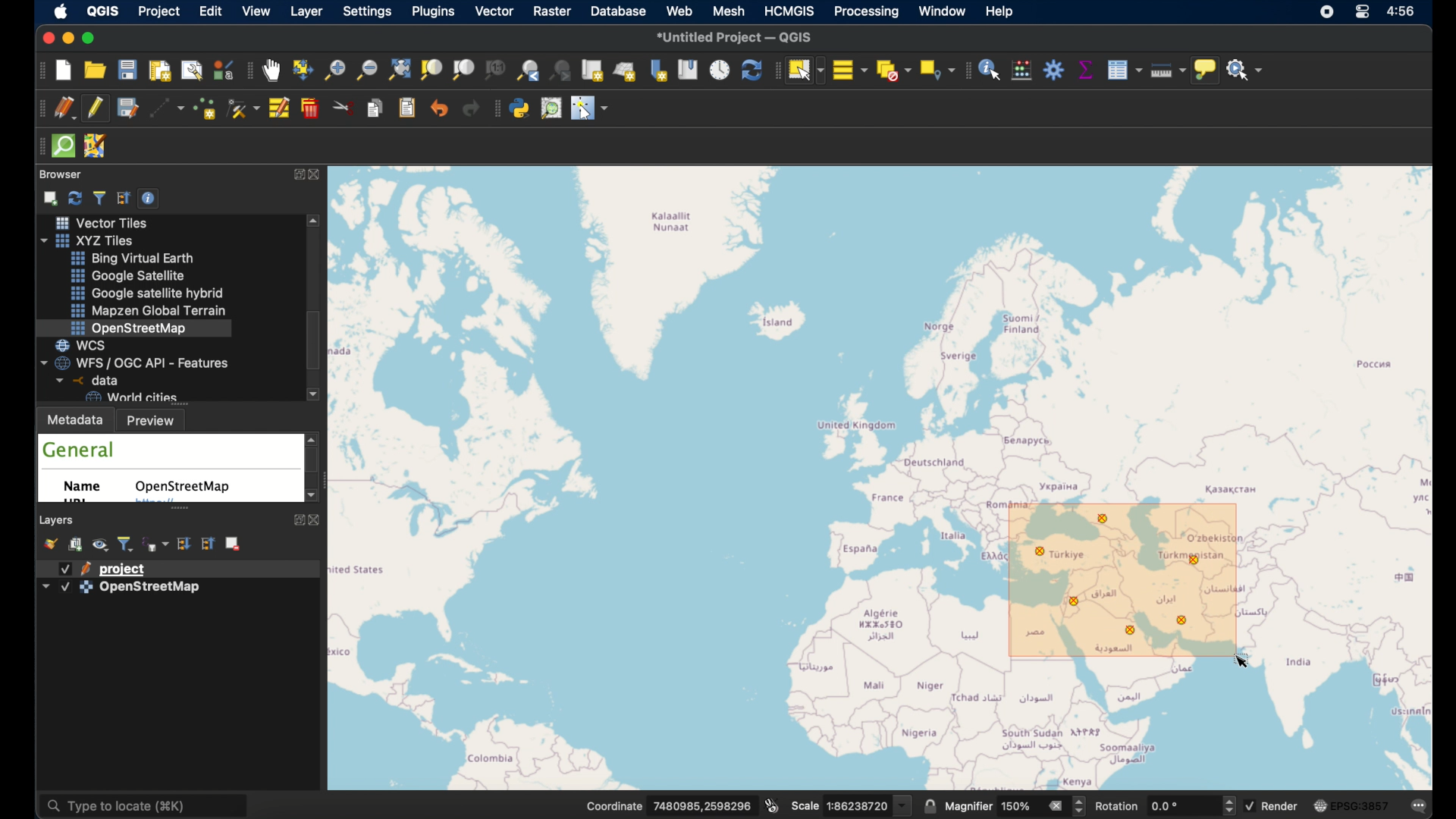 The width and height of the screenshot is (1456, 819). I want to click on show layout manager, so click(193, 72).